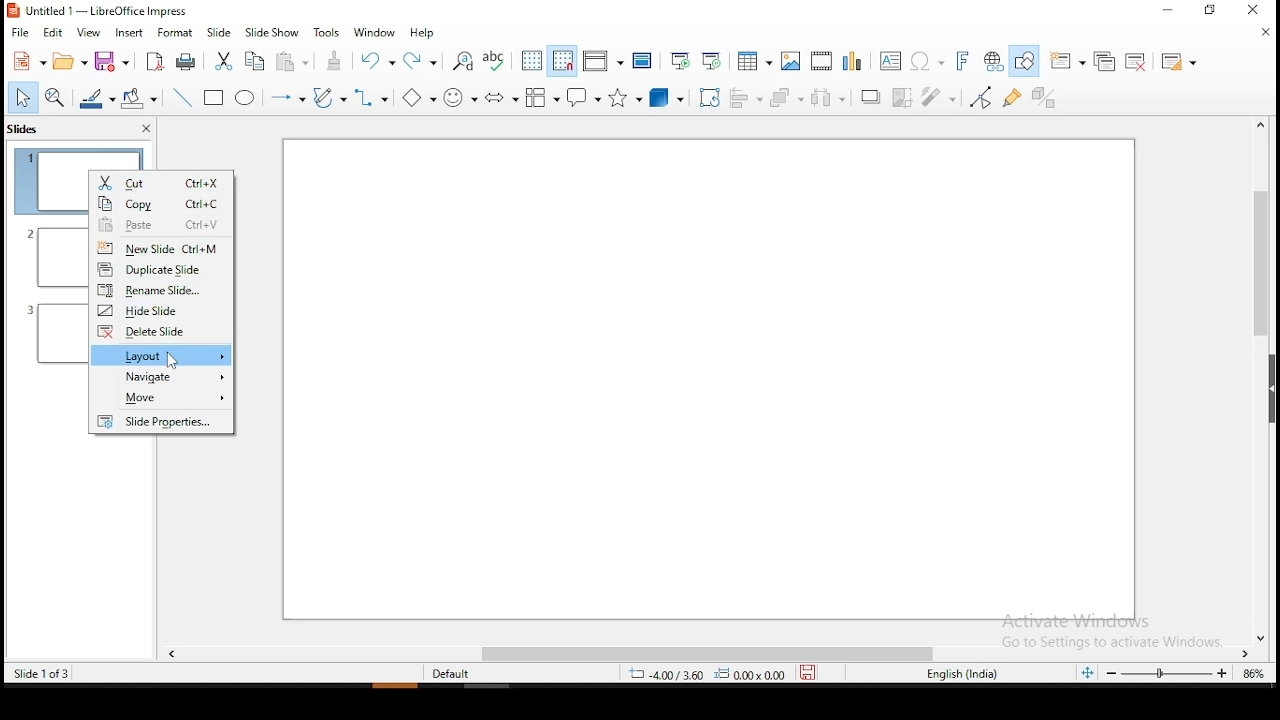  What do you see at coordinates (378, 63) in the screenshot?
I see `undo` at bounding box center [378, 63].